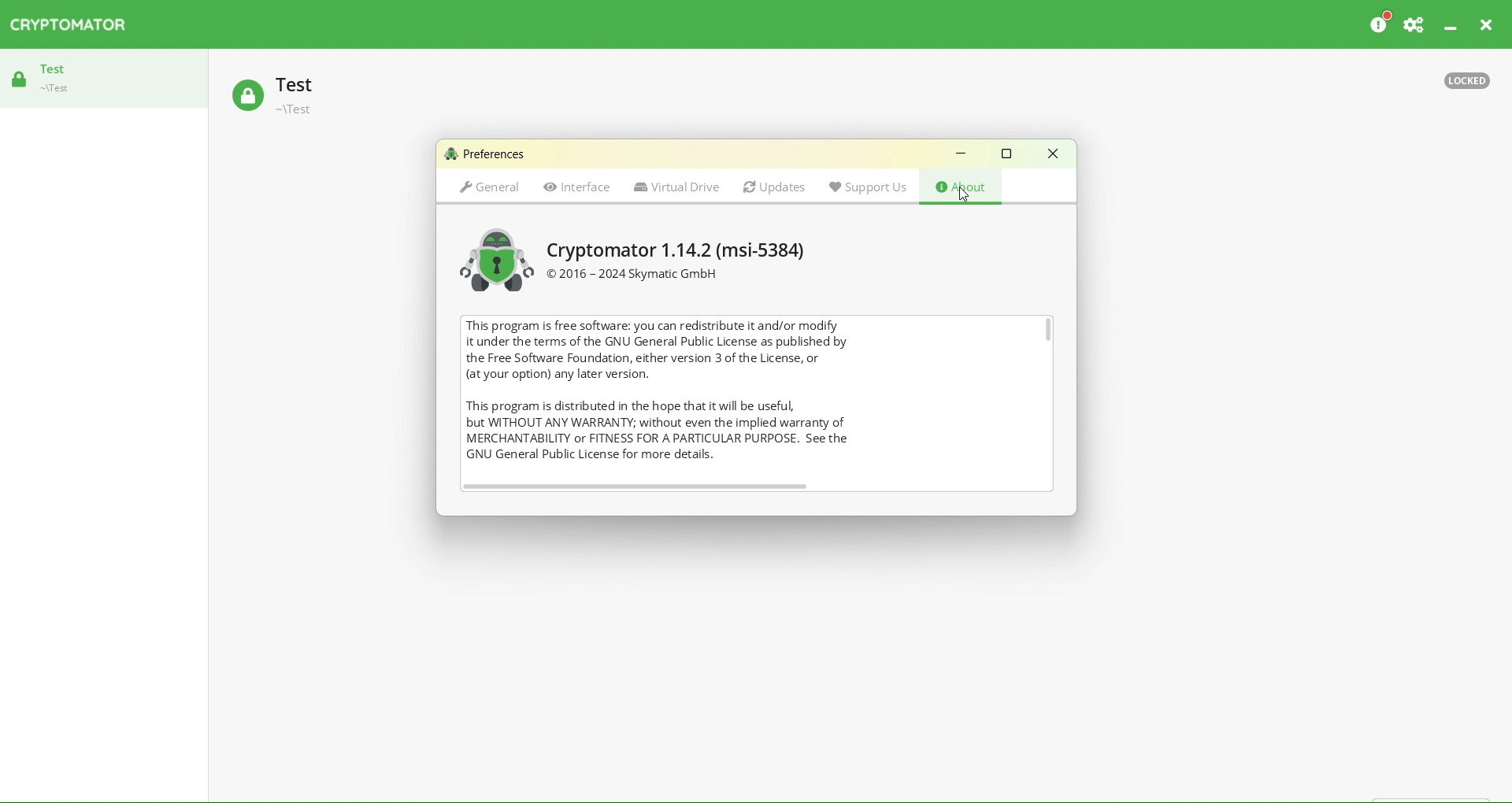 The width and height of the screenshot is (1512, 803). What do you see at coordinates (1447, 26) in the screenshot?
I see `Minimize` at bounding box center [1447, 26].